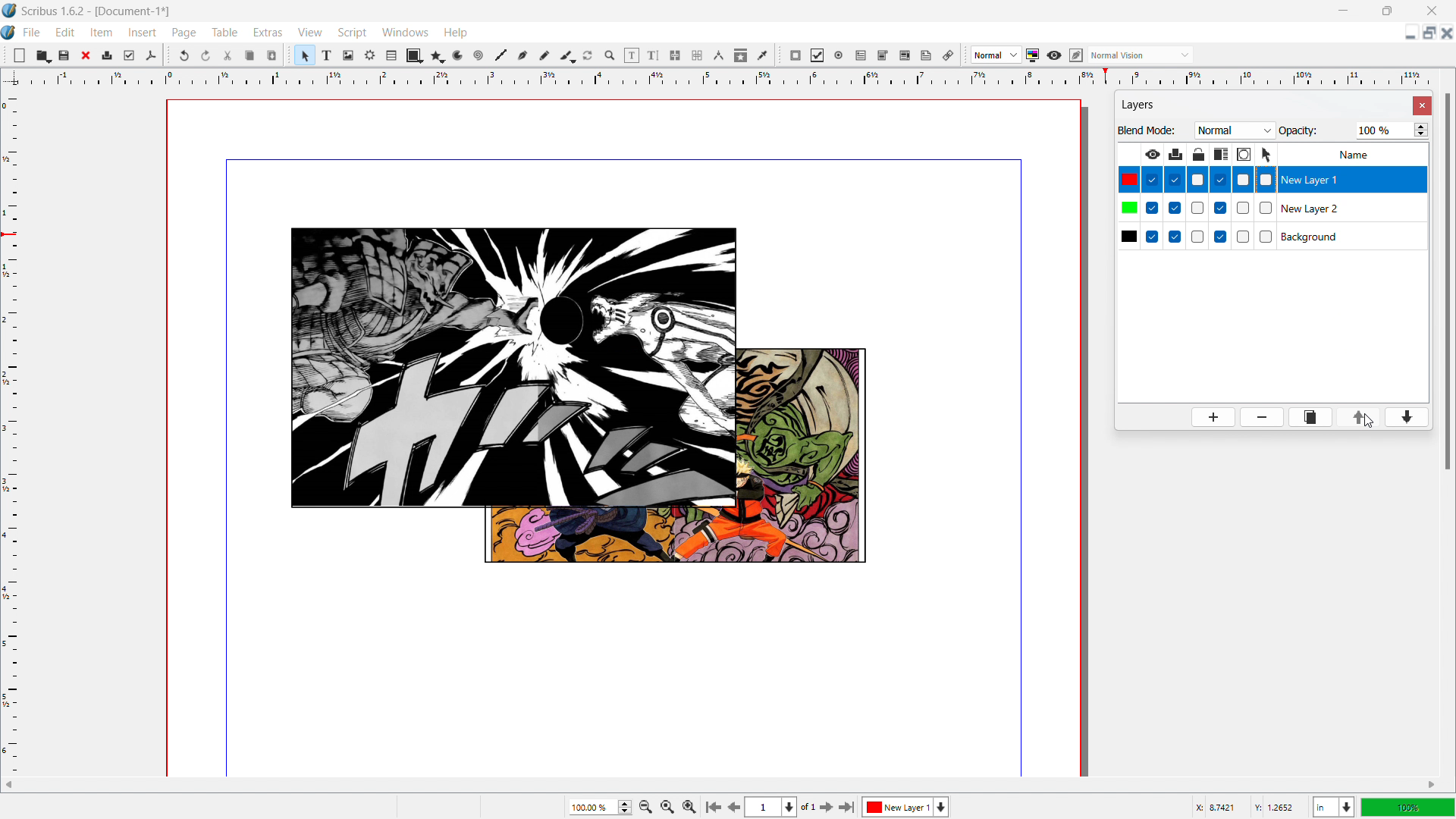  What do you see at coordinates (1129, 207) in the screenshot?
I see `colors` at bounding box center [1129, 207].